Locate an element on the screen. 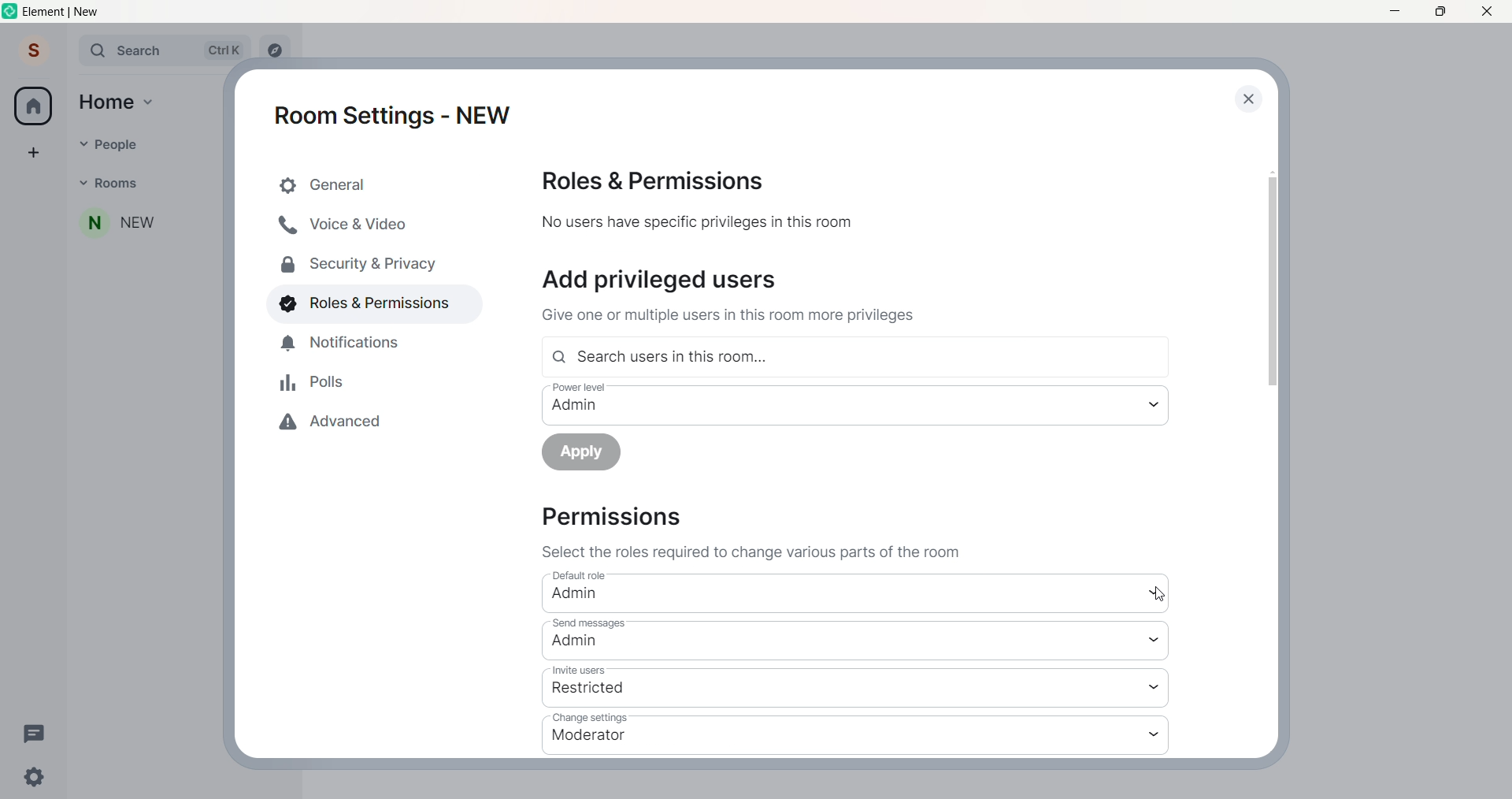  roles and permissions is located at coordinates (365, 303).